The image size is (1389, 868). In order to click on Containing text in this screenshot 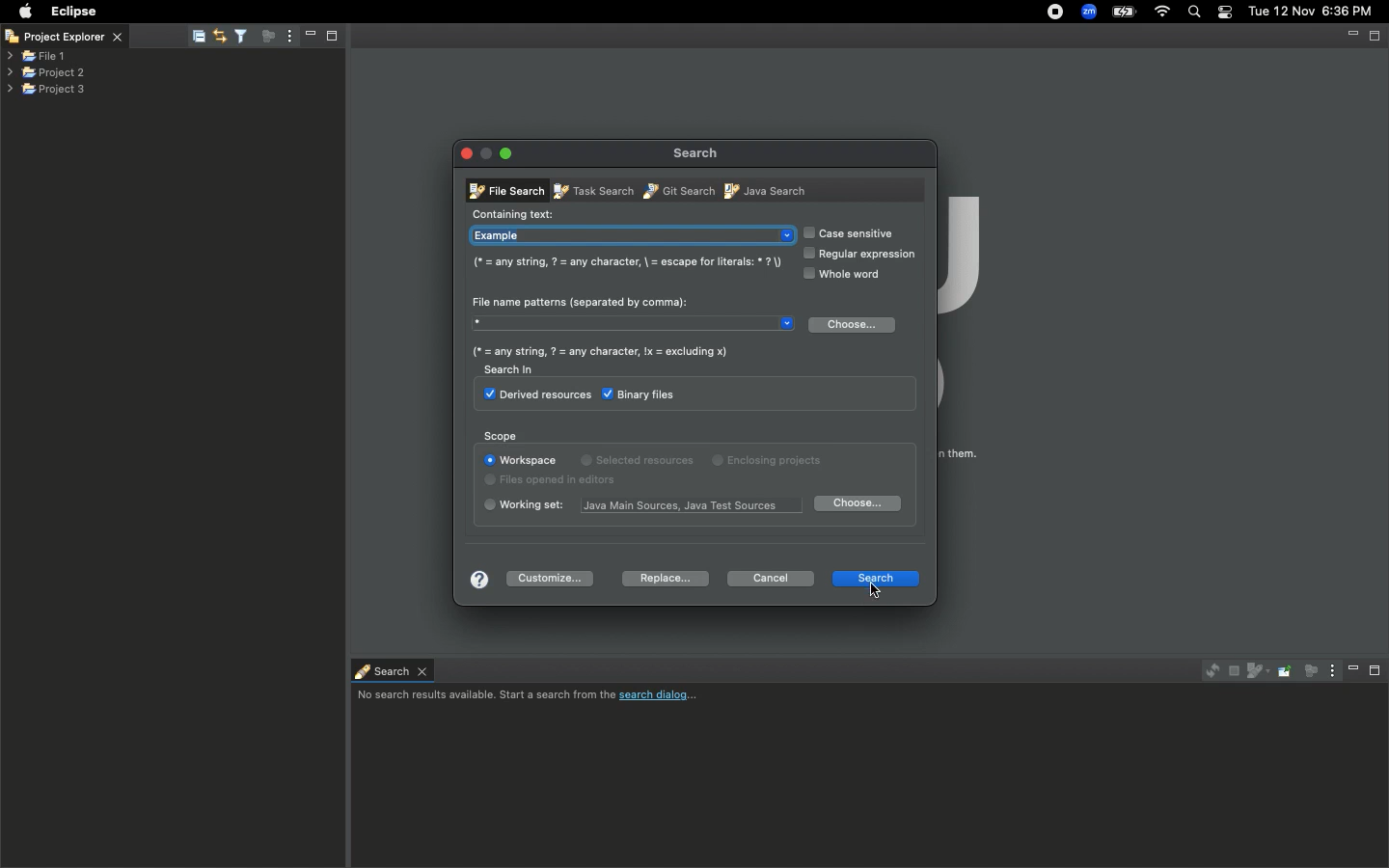, I will do `click(514, 214)`.